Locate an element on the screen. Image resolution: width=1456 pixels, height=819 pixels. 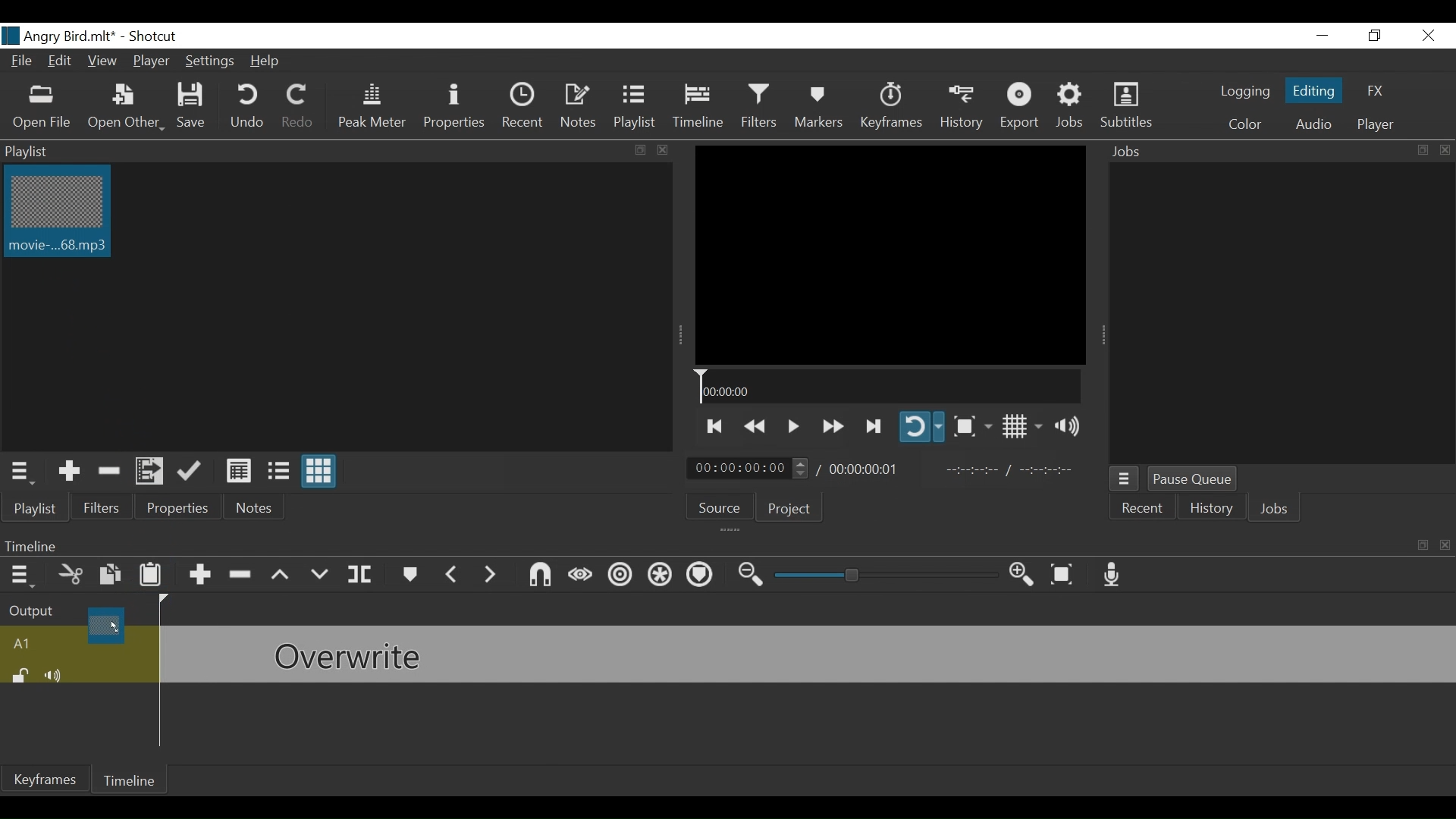
Player is located at coordinates (1373, 126).